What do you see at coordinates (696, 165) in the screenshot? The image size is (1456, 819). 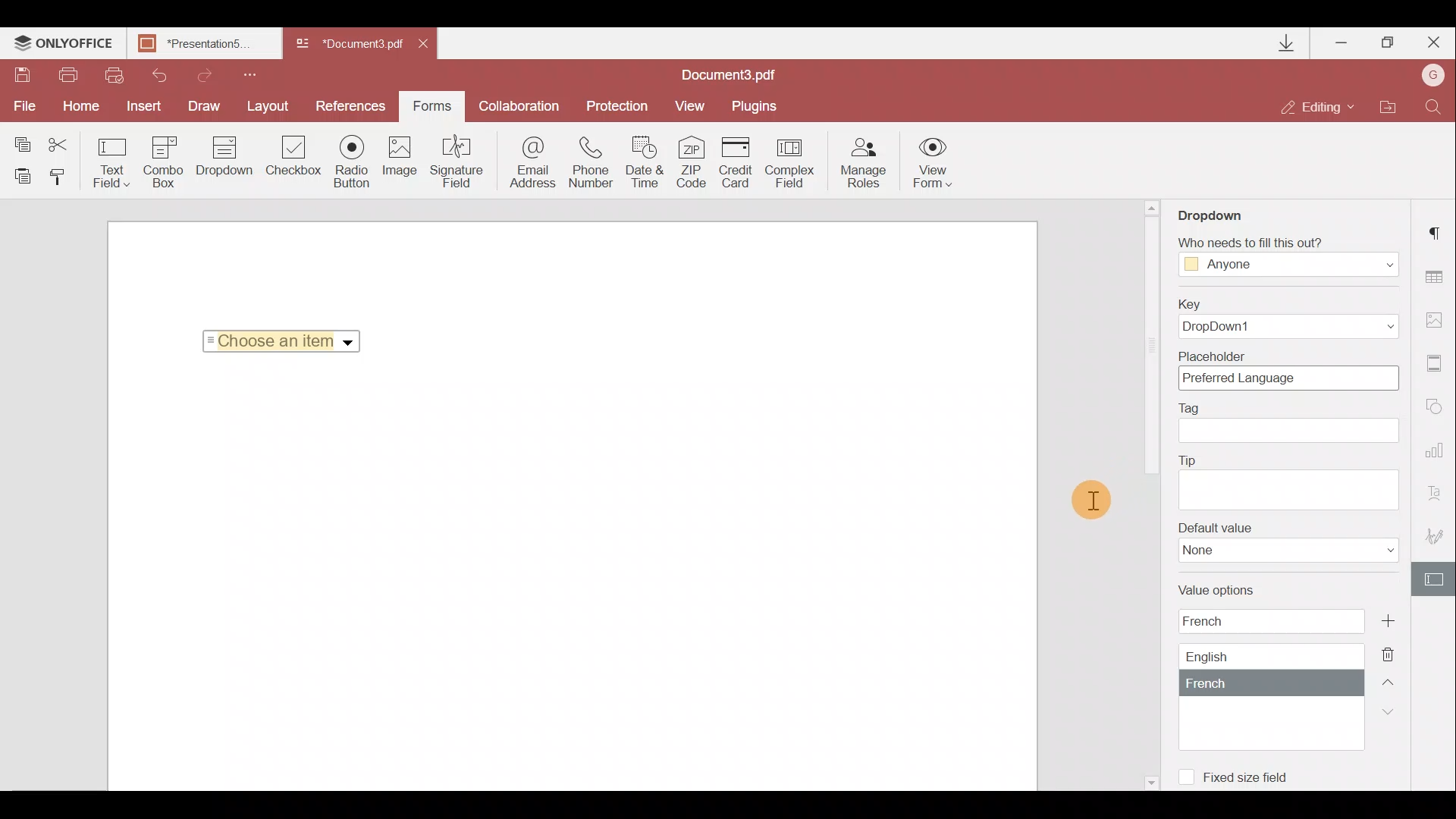 I see `ZIP code` at bounding box center [696, 165].